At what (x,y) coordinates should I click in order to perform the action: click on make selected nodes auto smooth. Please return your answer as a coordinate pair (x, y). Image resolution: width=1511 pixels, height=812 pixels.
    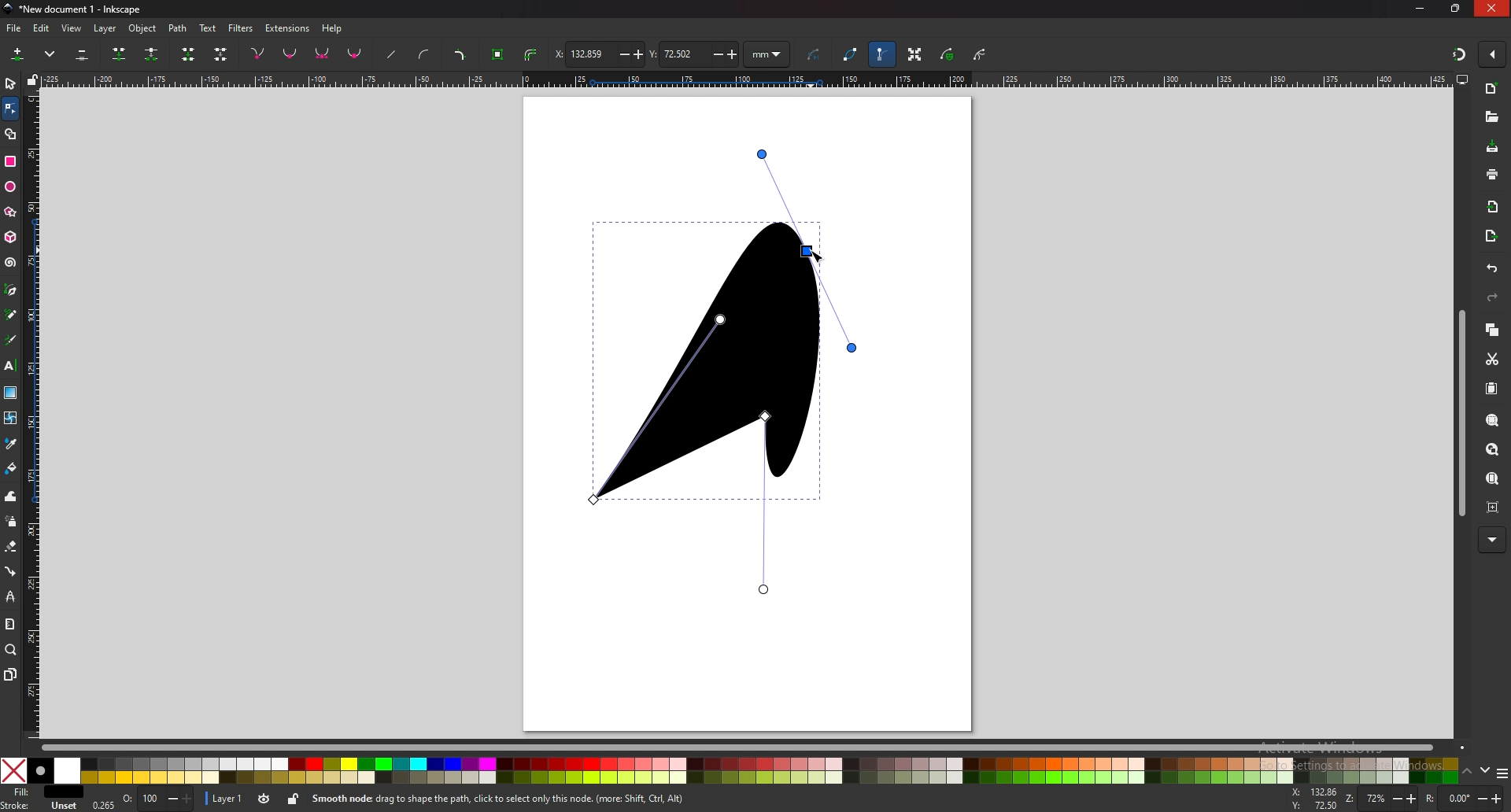
    Looking at the image, I should click on (355, 55).